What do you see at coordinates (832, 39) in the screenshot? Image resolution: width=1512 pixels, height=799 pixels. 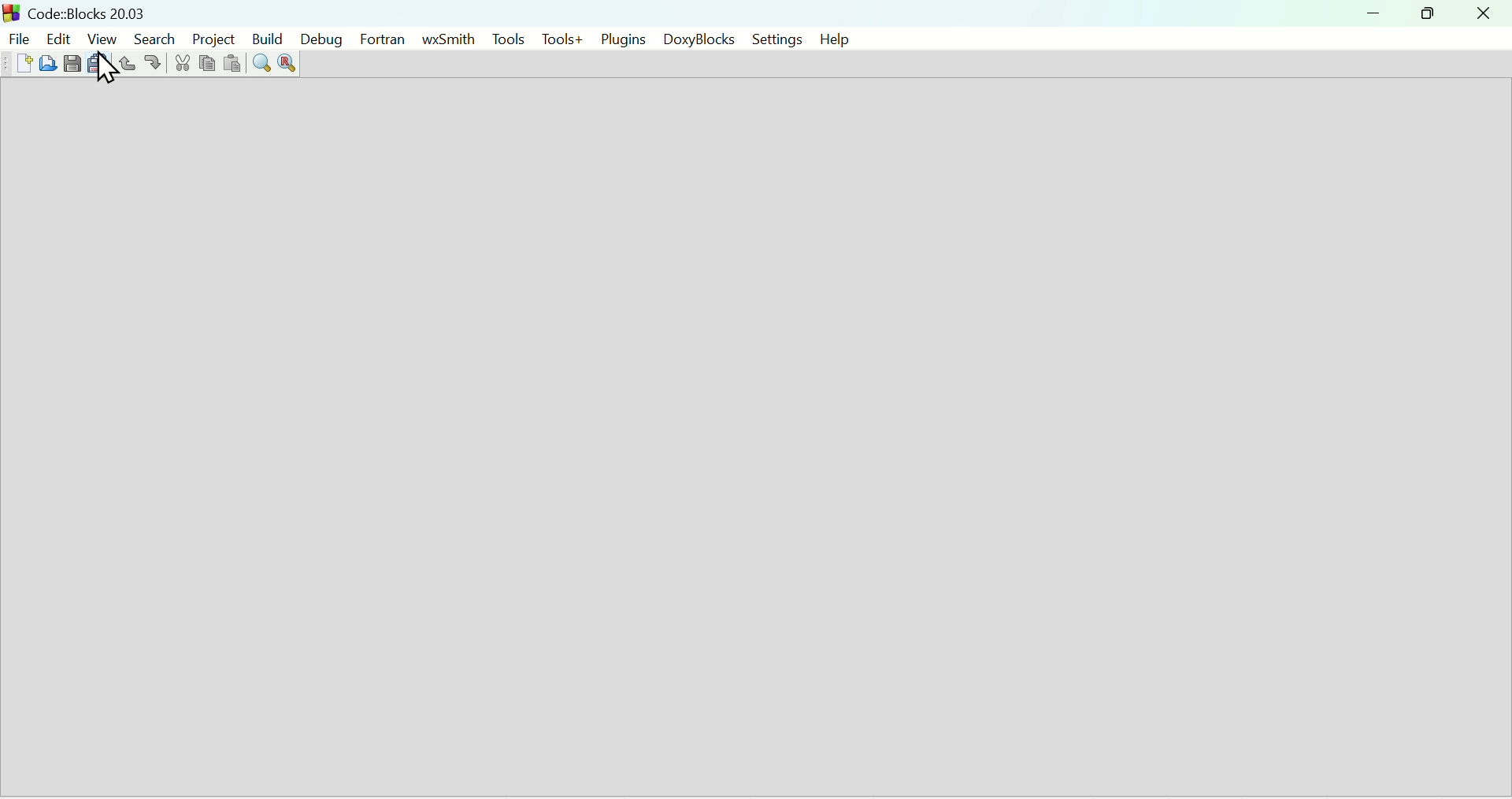 I see `help` at bounding box center [832, 39].